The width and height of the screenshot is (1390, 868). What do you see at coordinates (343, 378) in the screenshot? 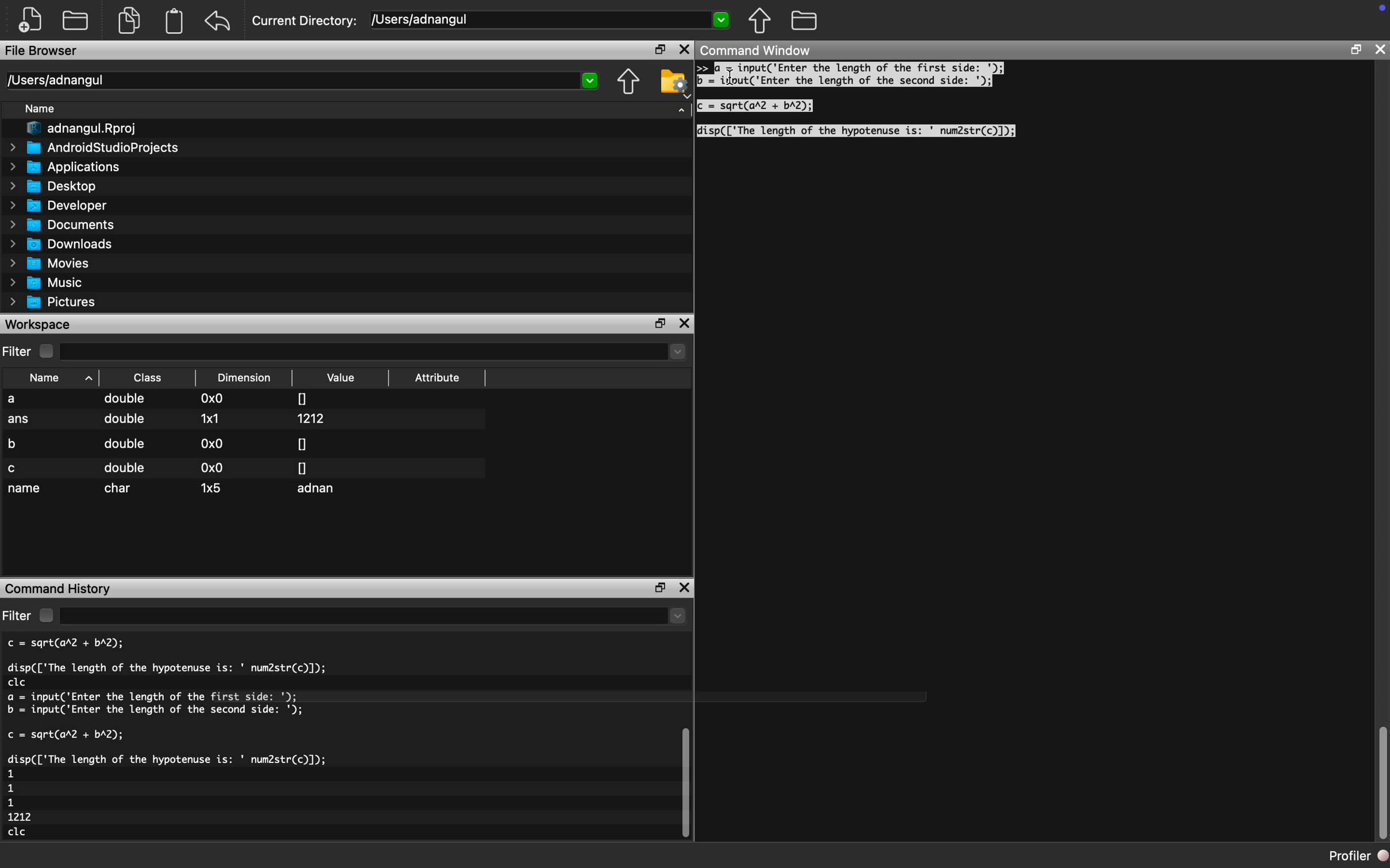
I see `Value` at bounding box center [343, 378].